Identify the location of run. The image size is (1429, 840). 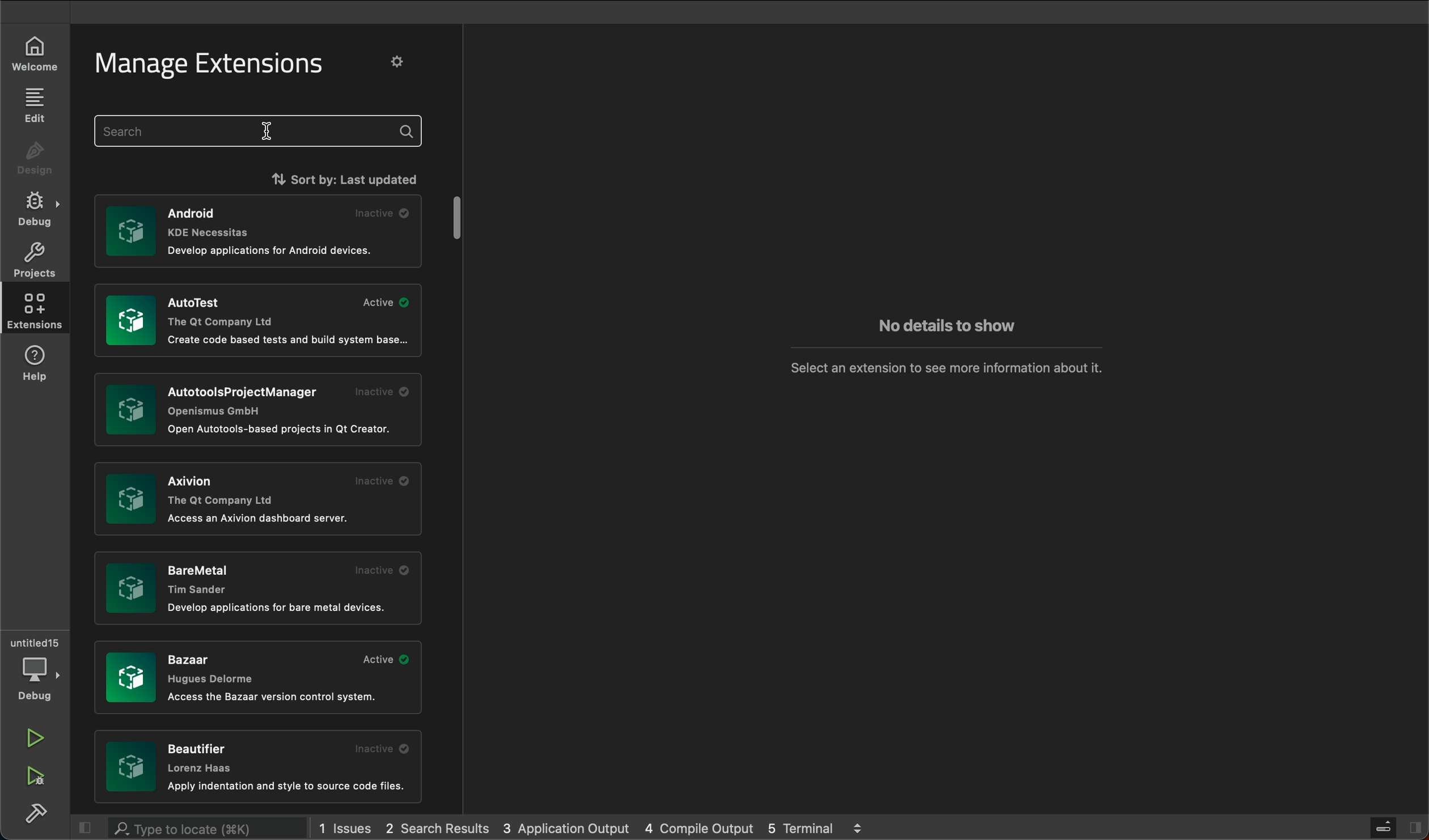
(38, 739).